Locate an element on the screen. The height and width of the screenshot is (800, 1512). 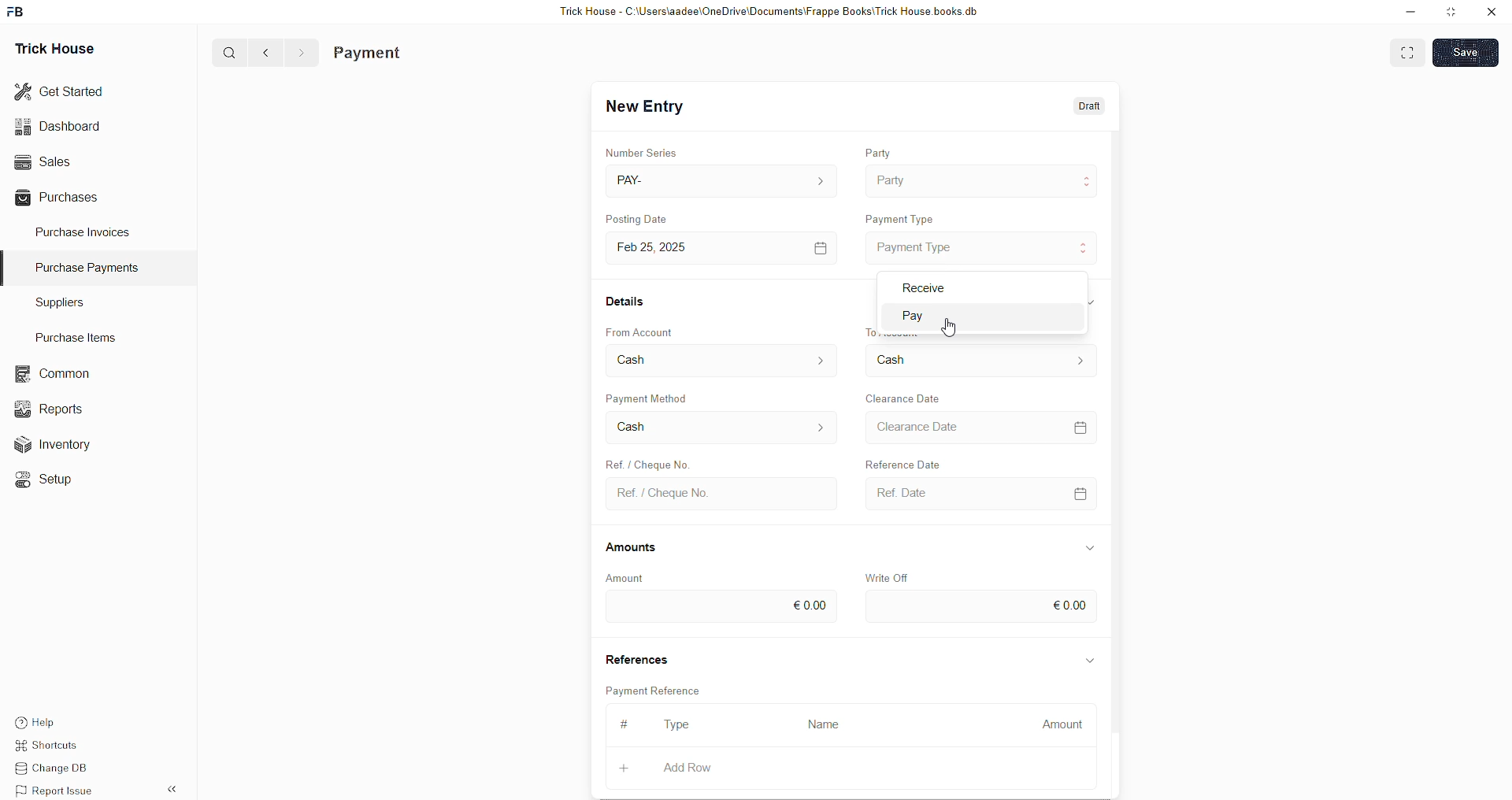
From Account is located at coordinates (645, 331).